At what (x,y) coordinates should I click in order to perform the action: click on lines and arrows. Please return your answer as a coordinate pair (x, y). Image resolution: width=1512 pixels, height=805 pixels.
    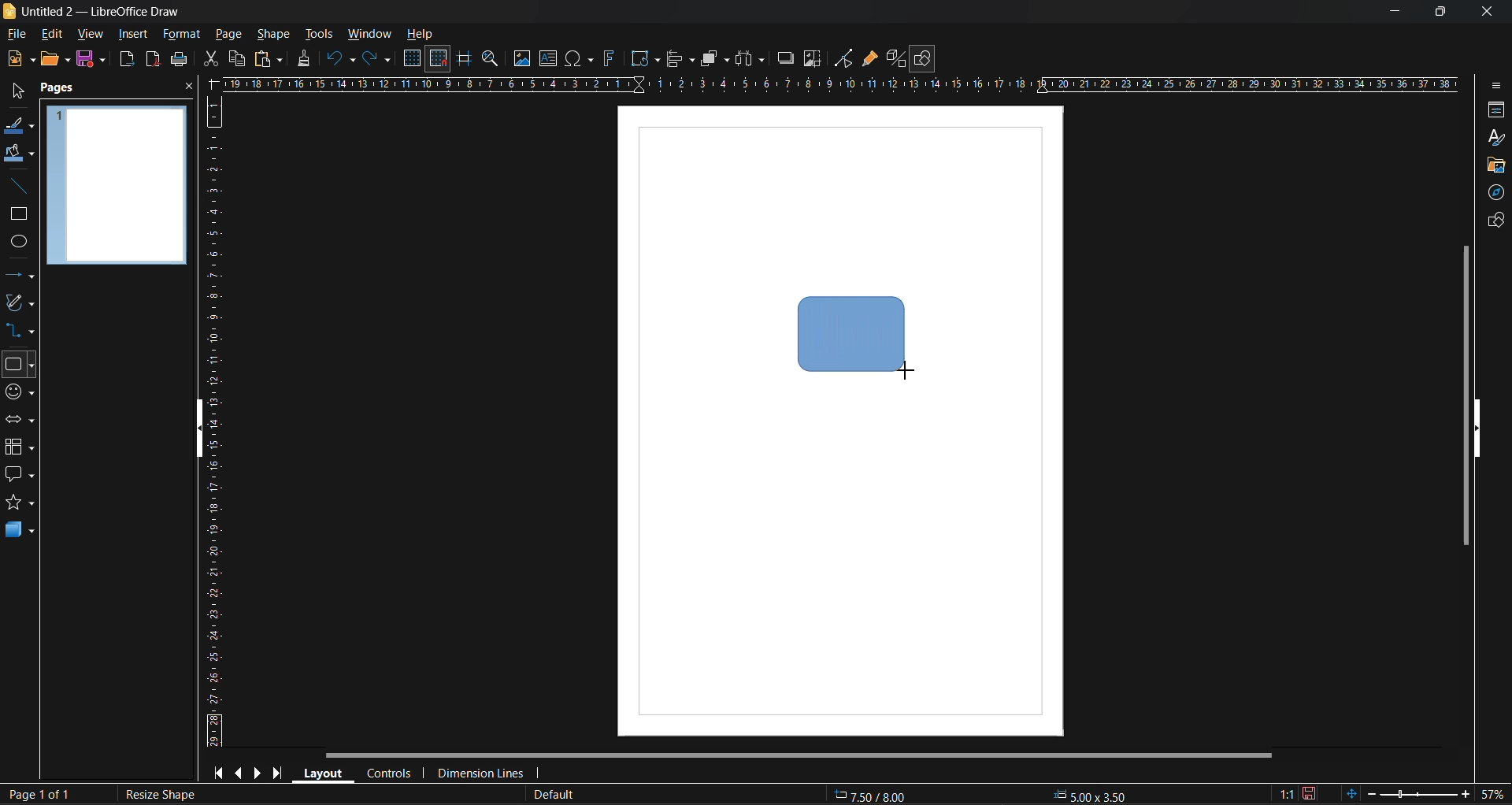
    Looking at the image, I should click on (24, 278).